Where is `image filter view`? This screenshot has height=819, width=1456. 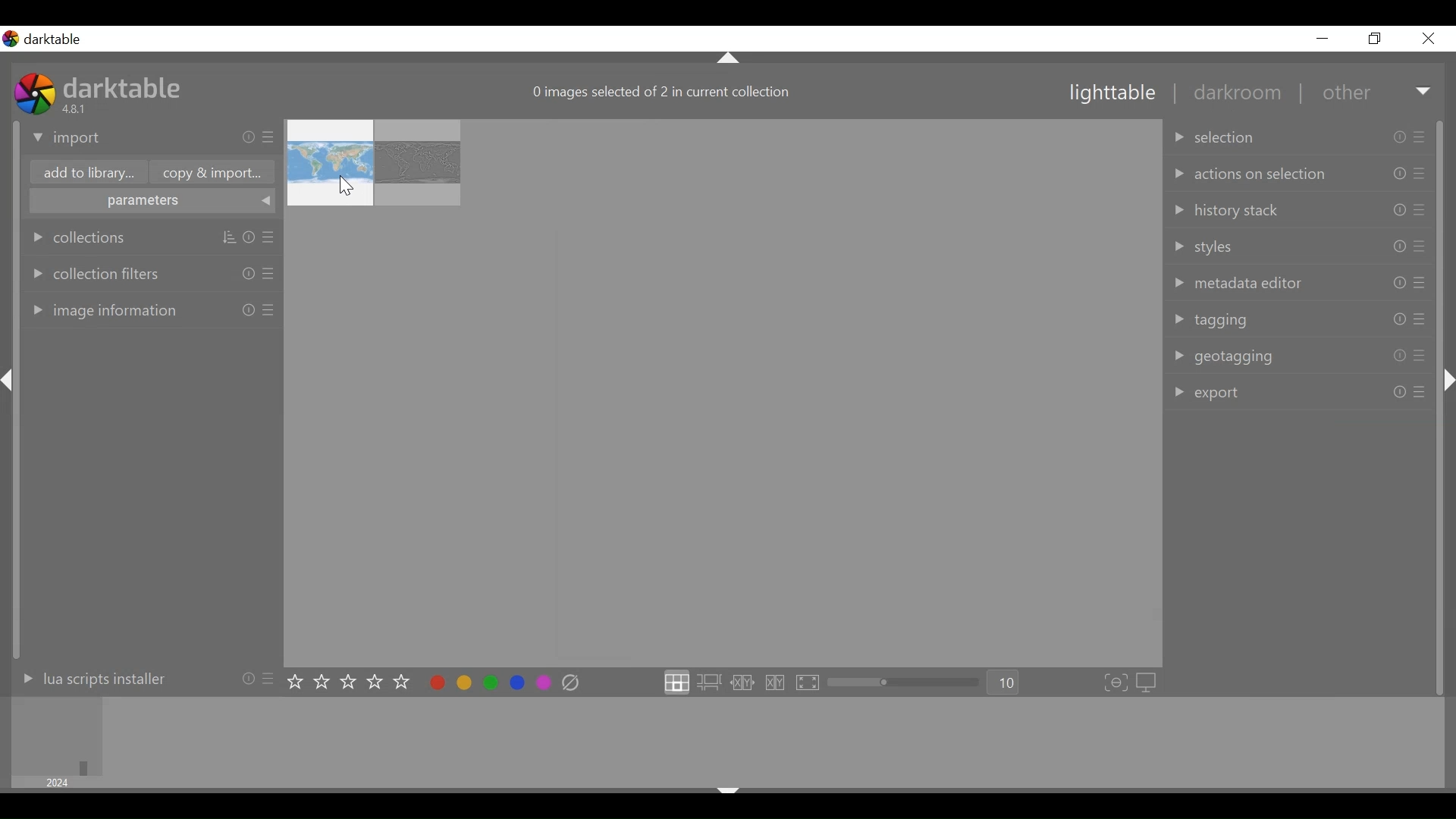 image filter view is located at coordinates (54, 736).